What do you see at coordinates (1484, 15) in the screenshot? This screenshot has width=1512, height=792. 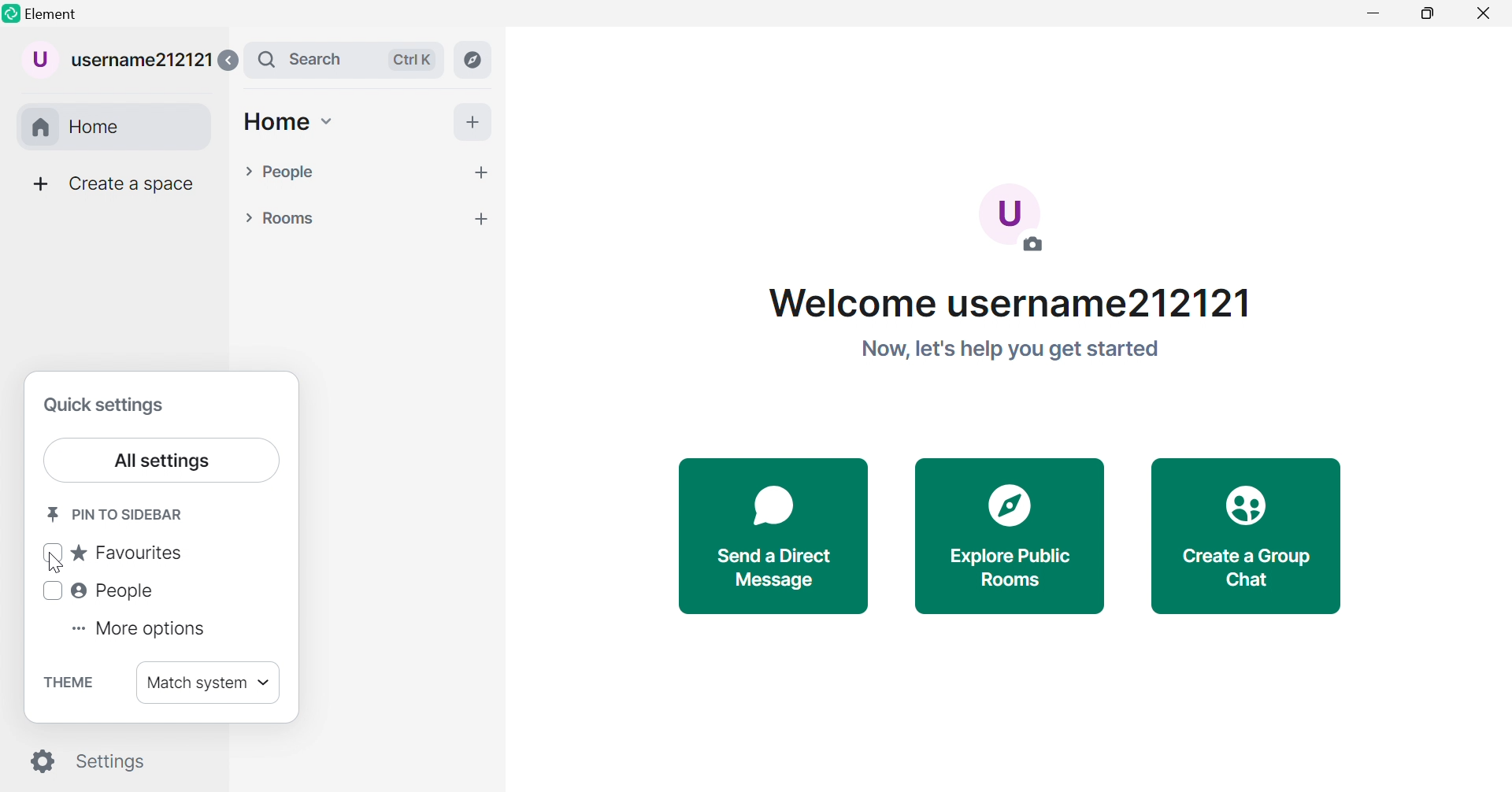 I see `Close` at bounding box center [1484, 15].